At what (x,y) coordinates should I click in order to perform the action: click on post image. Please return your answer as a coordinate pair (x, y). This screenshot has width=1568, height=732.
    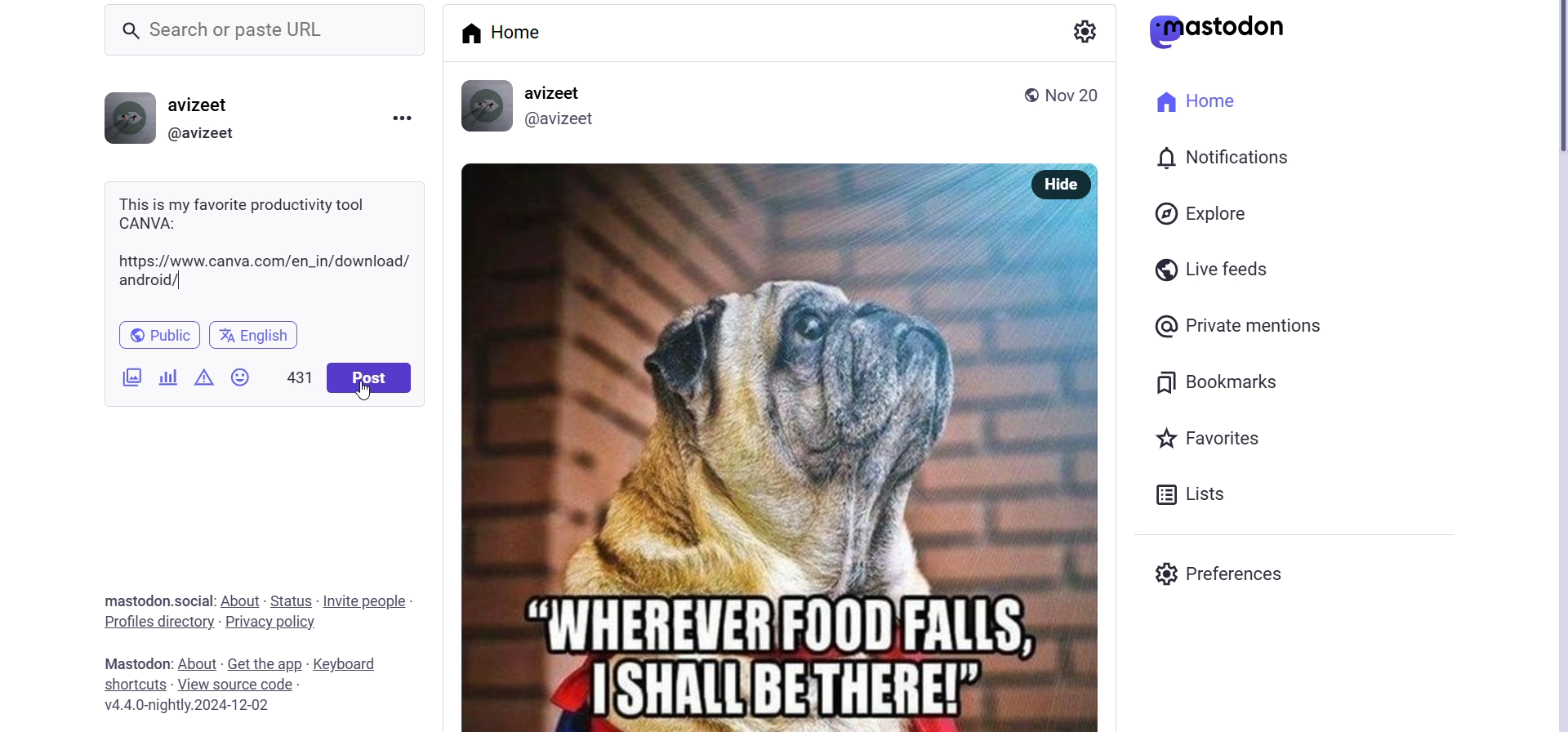
    Looking at the image, I should click on (744, 444).